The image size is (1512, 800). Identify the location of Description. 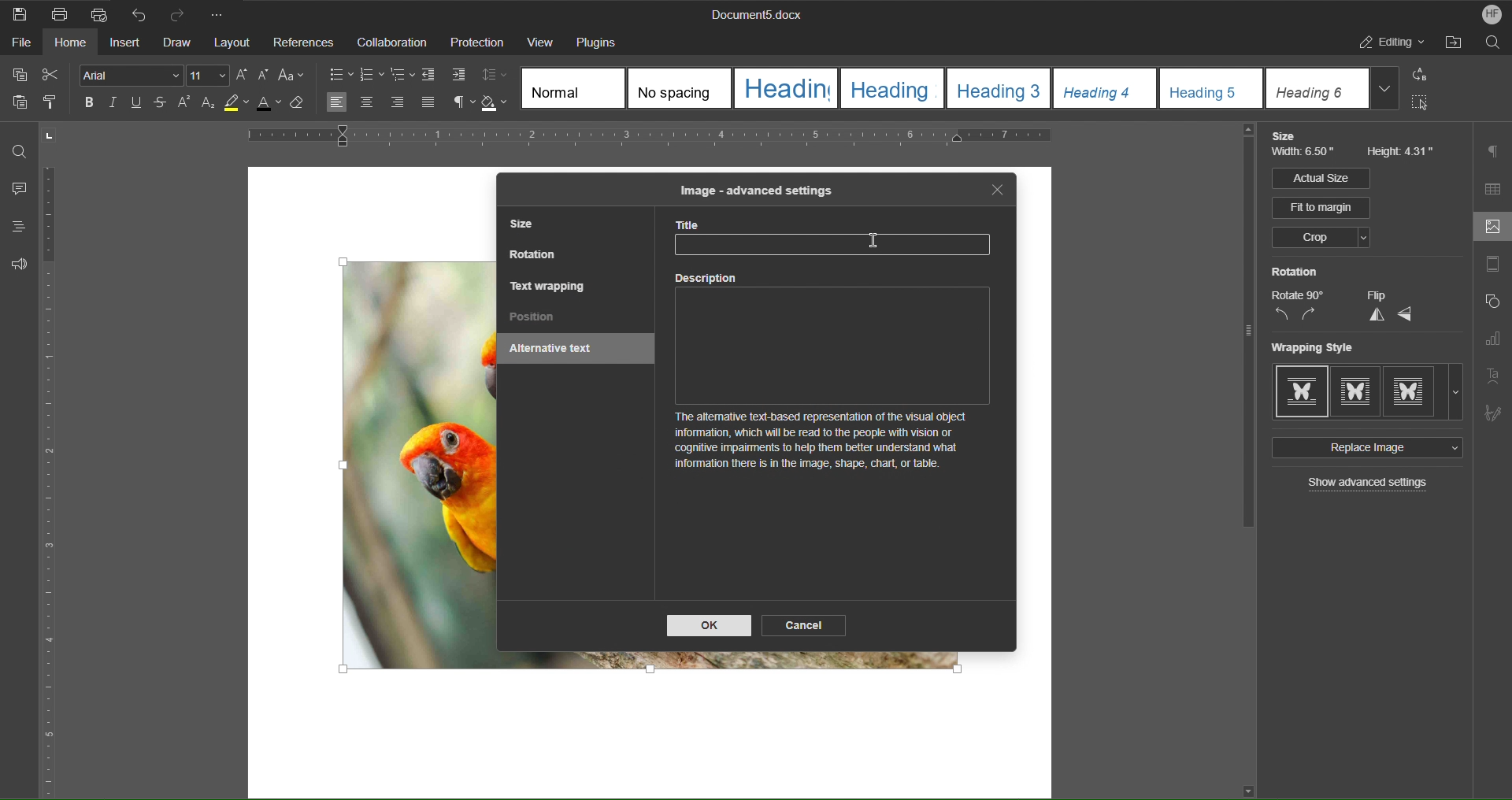
(837, 380).